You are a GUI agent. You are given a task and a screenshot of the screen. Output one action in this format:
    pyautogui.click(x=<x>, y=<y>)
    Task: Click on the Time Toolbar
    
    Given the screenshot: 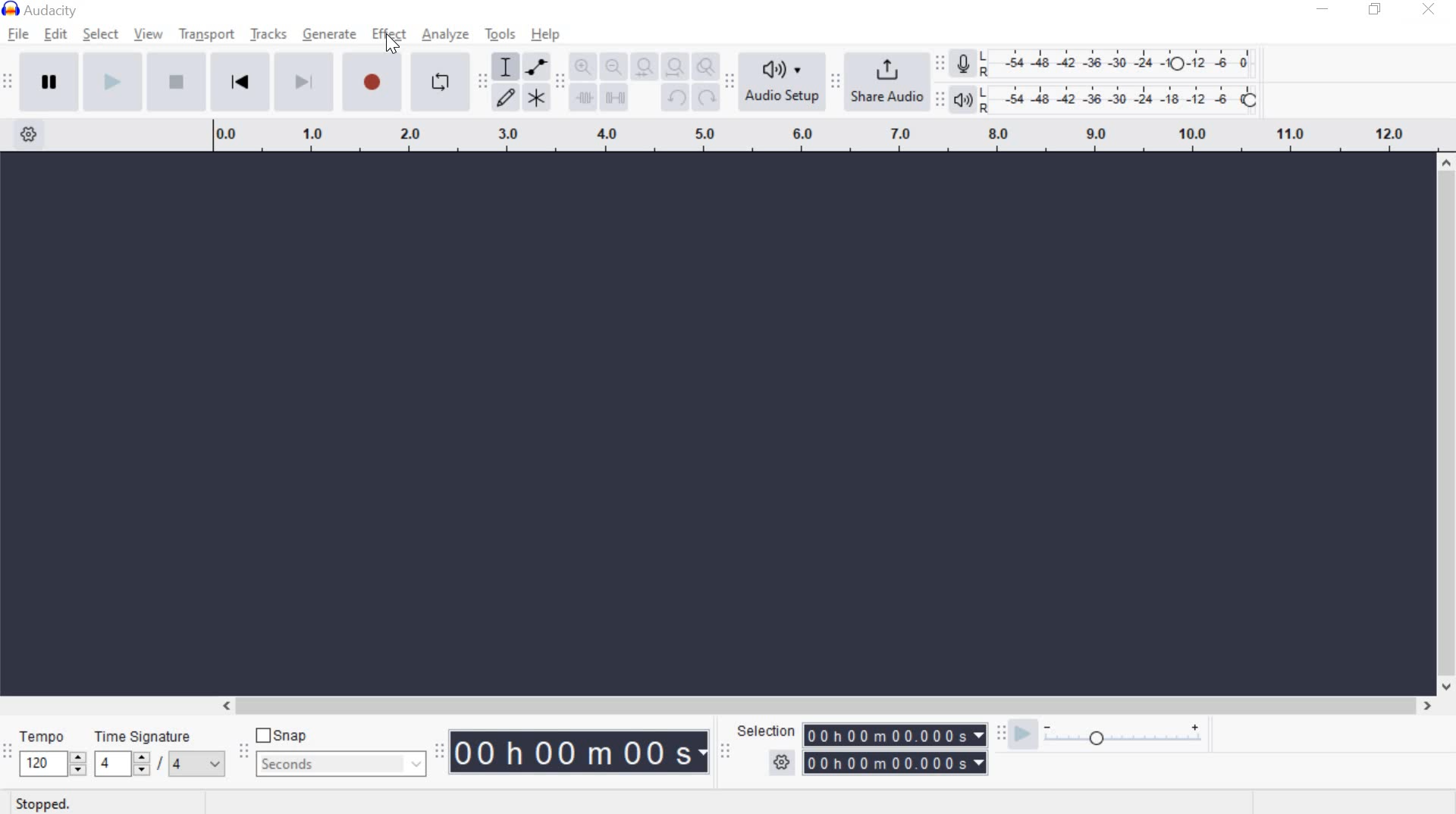 What is the action you would take?
    pyautogui.click(x=438, y=751)
    